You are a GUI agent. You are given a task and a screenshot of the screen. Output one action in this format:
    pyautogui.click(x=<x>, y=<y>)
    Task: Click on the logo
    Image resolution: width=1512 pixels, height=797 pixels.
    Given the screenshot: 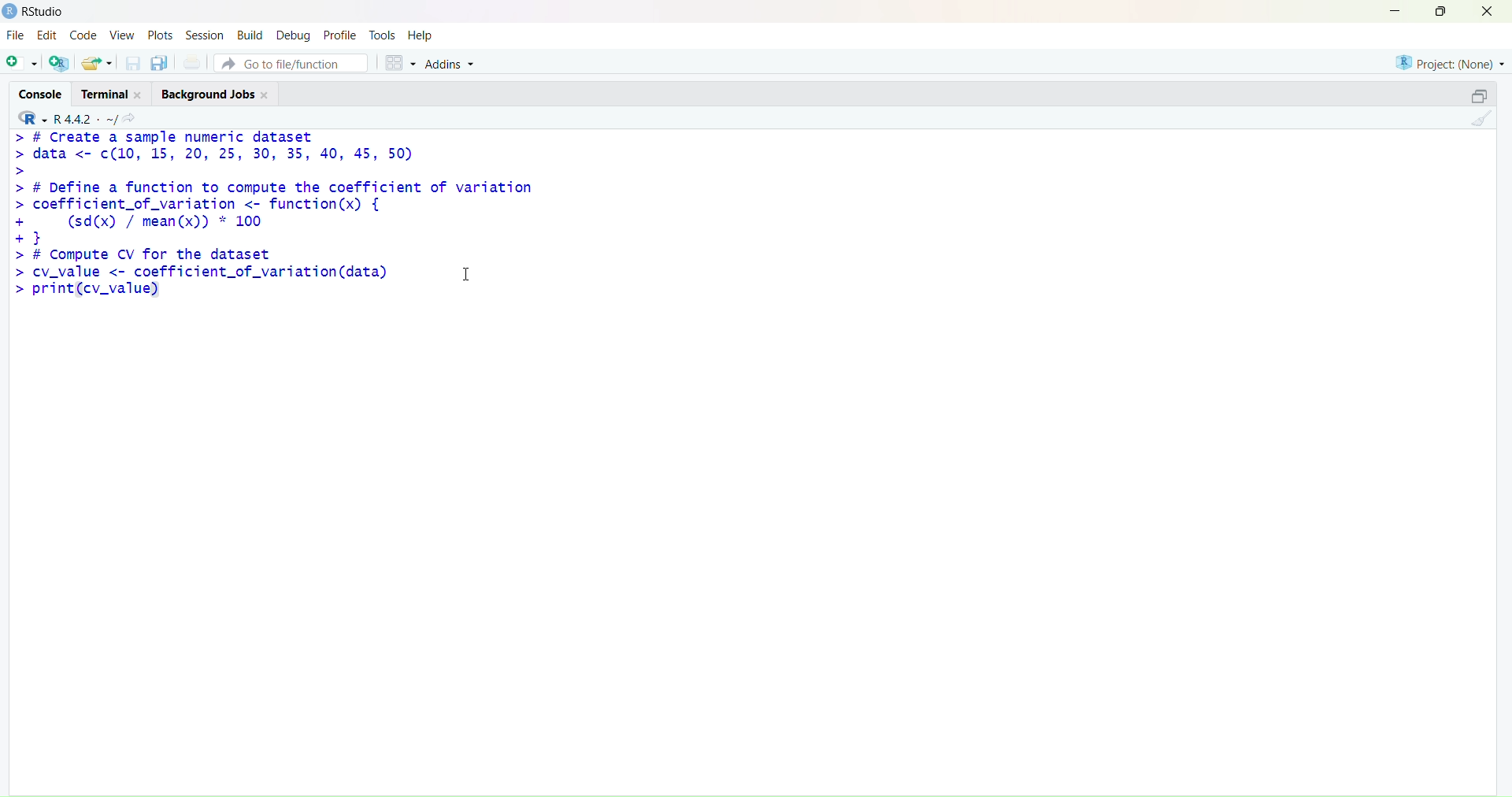 What is the action you would take?
    pyautogui.click(x=11, y=11)
    